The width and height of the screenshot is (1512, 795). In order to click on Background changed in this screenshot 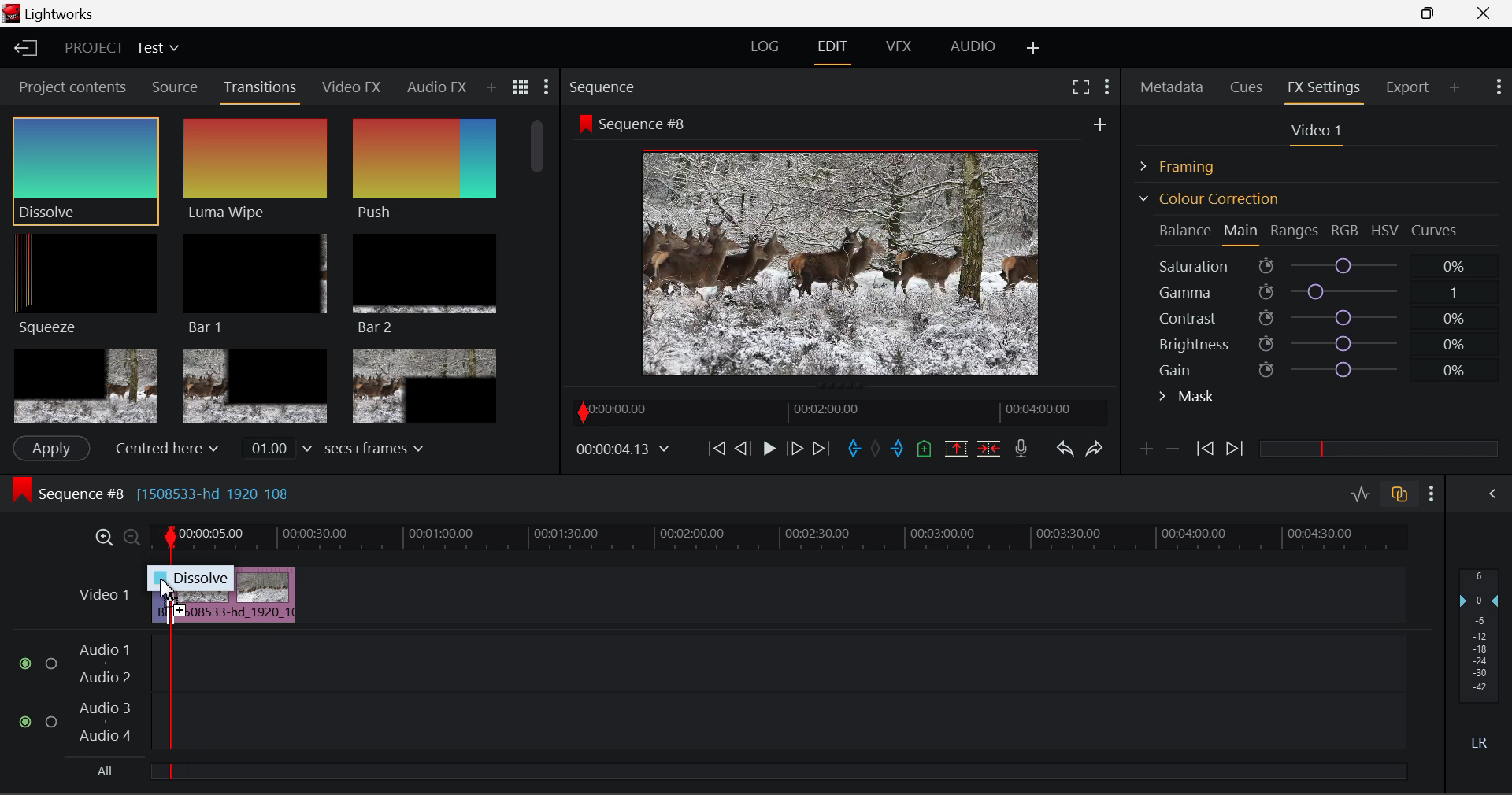, I will do `click(845, 248)`.